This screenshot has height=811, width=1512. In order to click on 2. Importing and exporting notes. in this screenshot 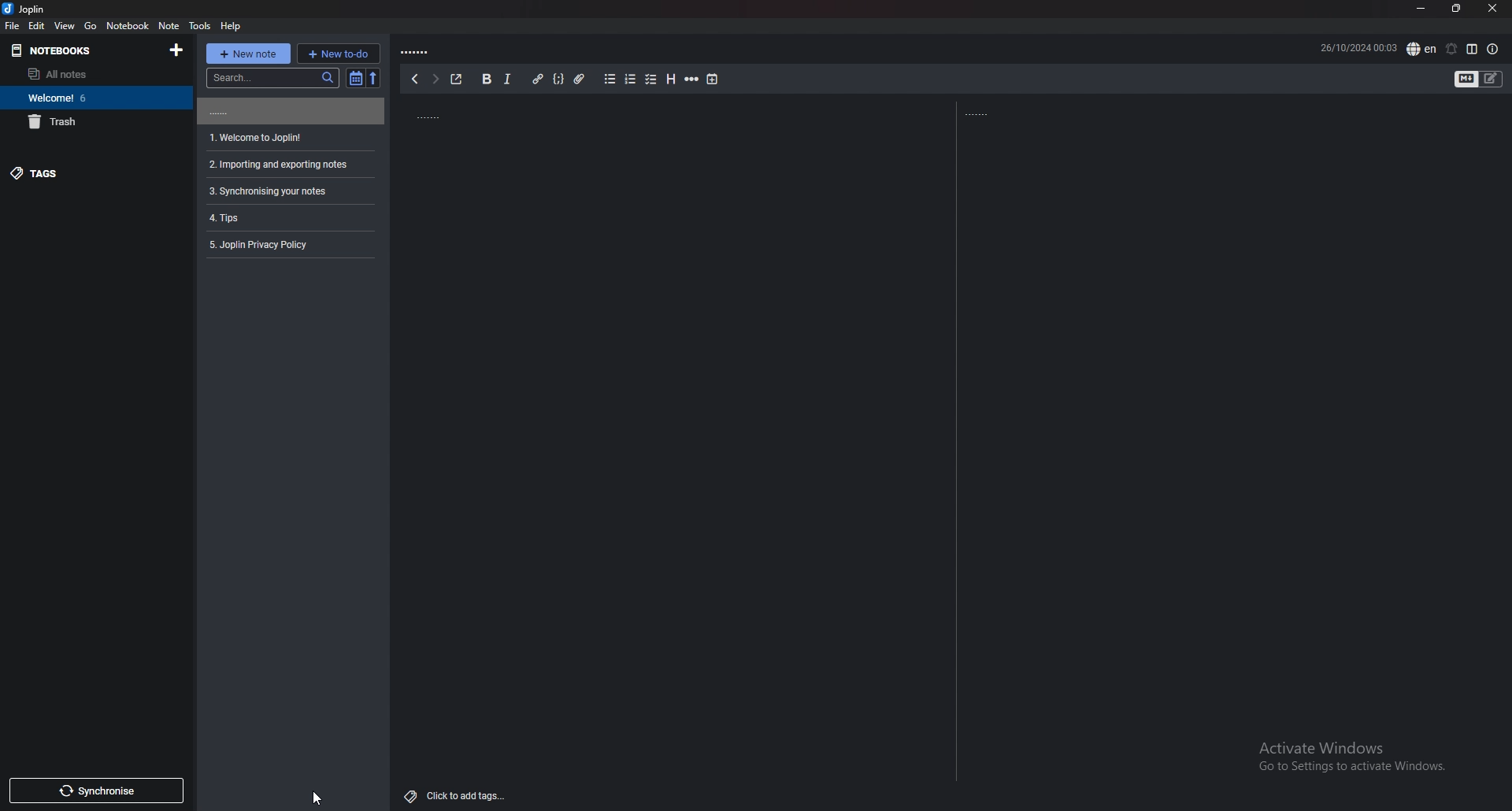, I will do `click(276, 162)`.